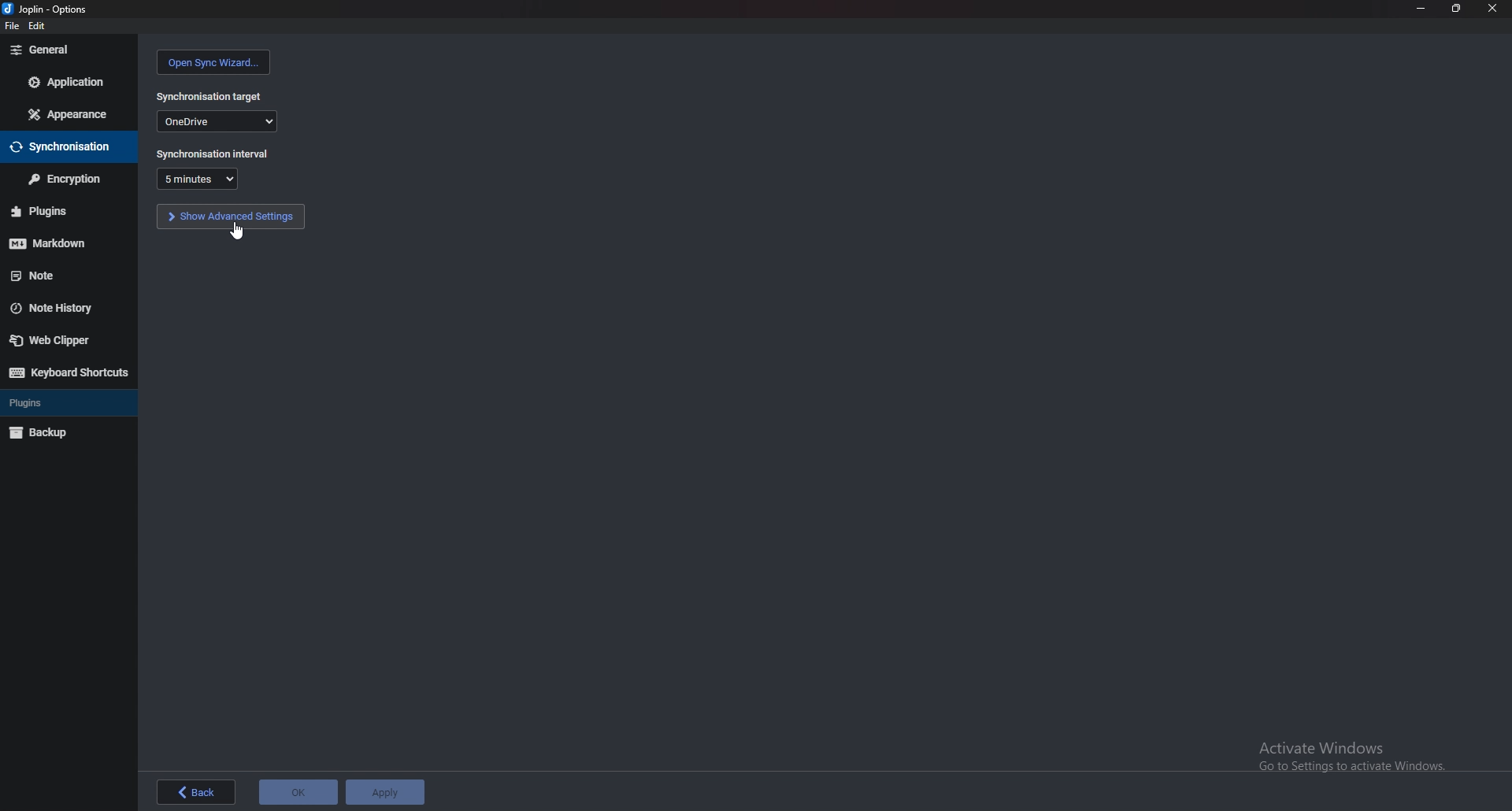  What do you see at coordinates (66, 178) in the screenshot?
I see `encryption` at bounding box center [66, 178].